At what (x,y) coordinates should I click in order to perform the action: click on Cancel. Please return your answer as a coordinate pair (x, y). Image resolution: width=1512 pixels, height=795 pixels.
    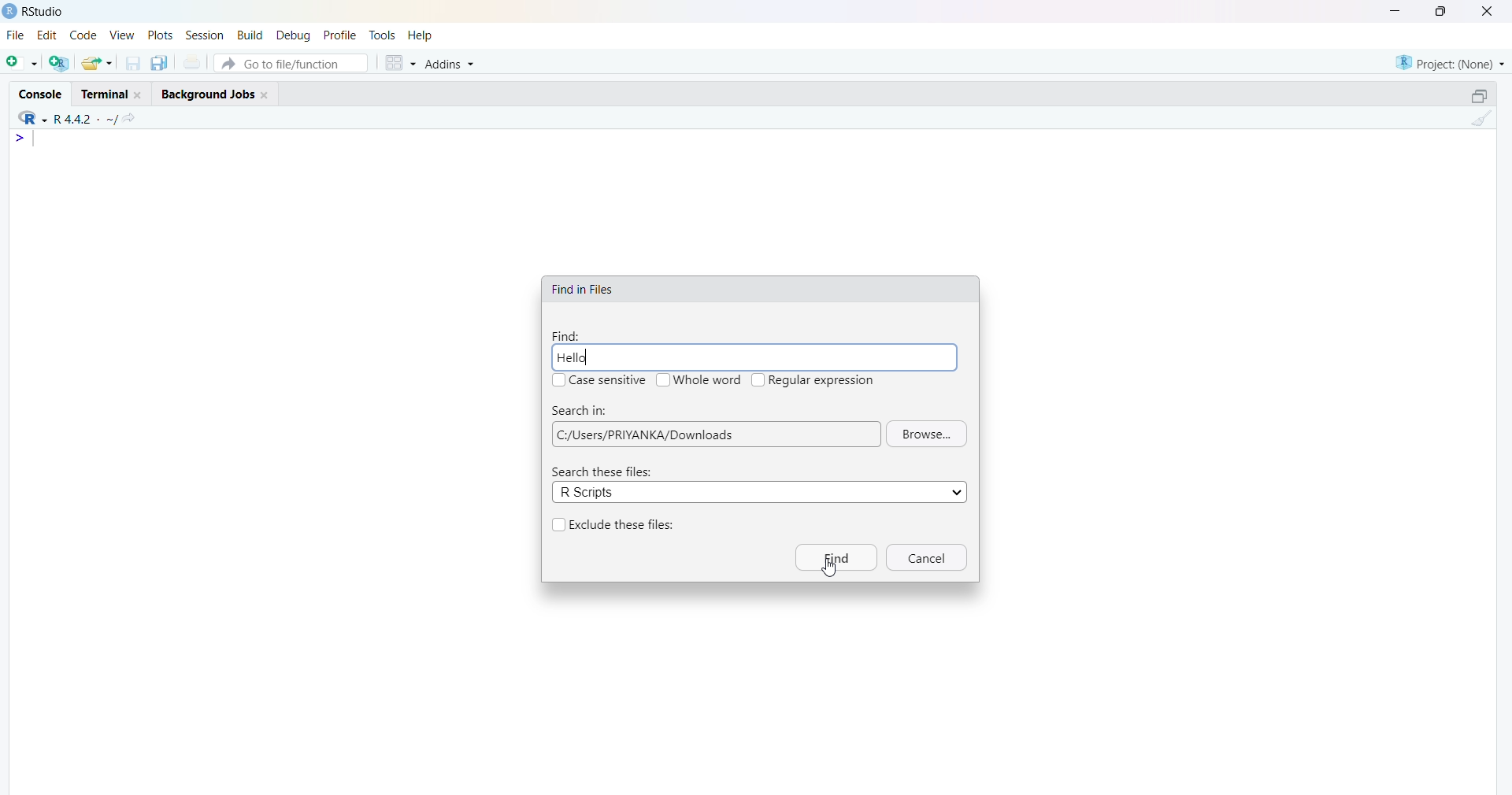
    Looking at the image, I should click on (928, 557).